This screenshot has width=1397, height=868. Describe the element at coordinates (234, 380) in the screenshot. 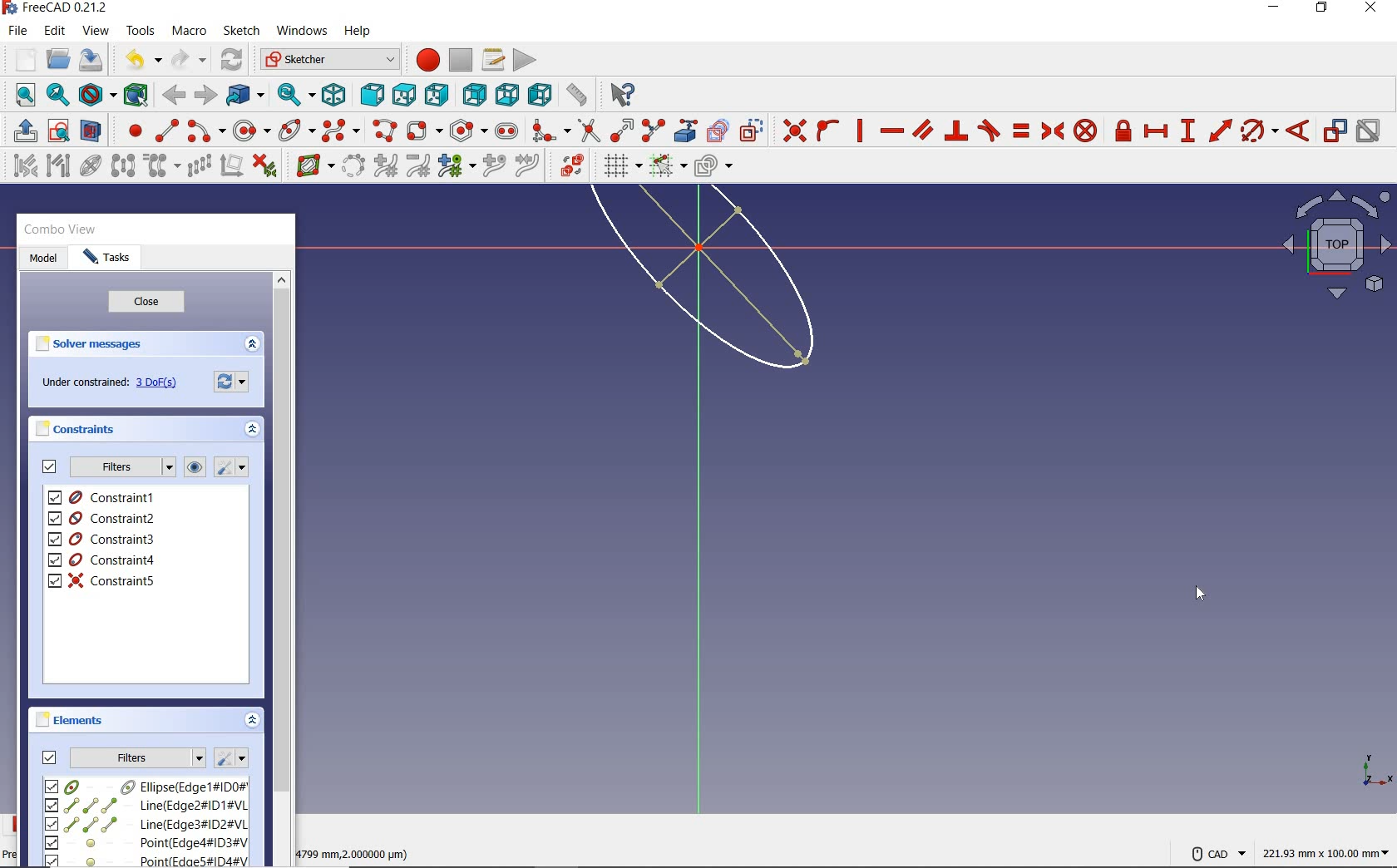

I see `settings` at that location.